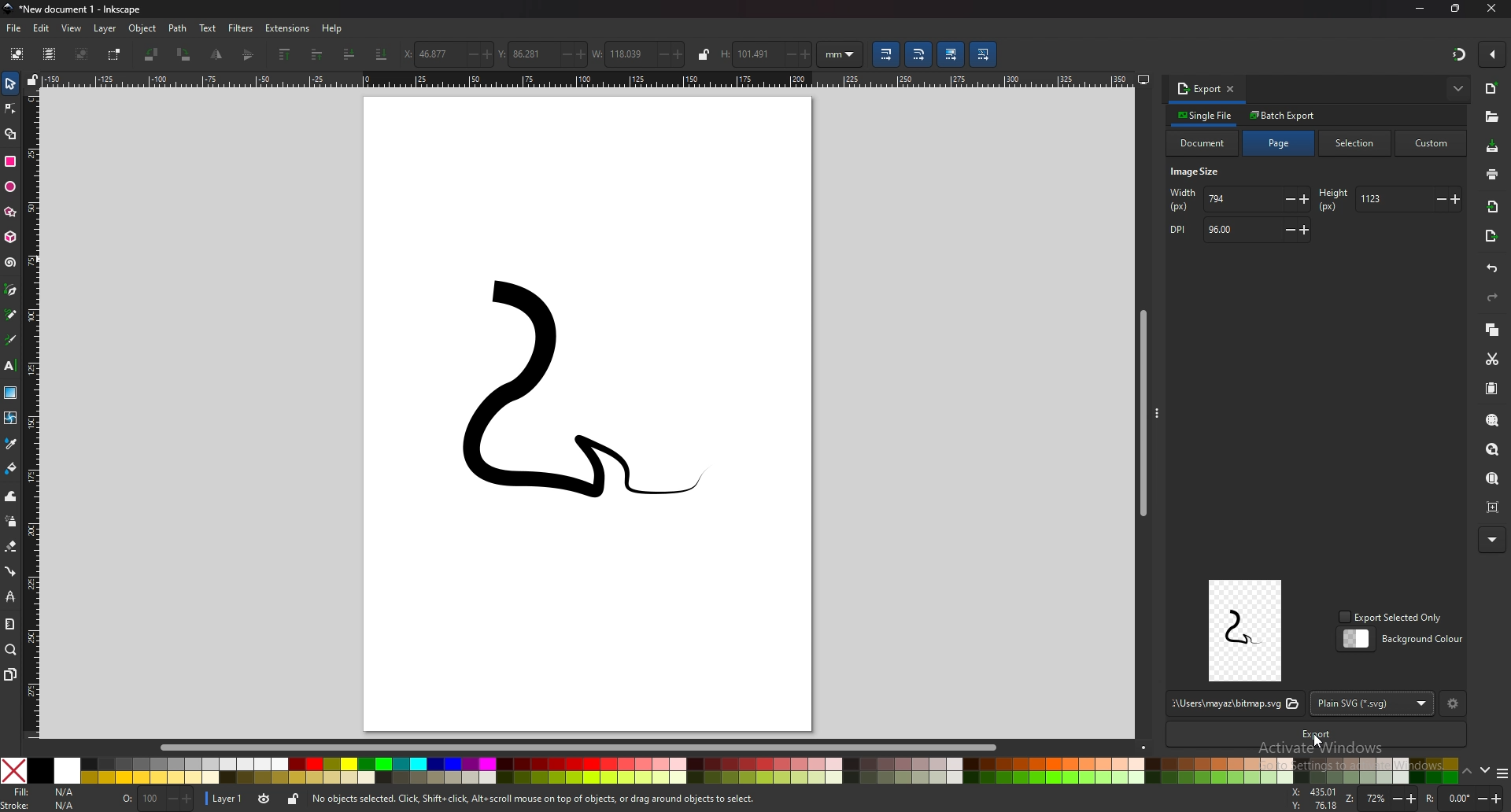  I want to click on zoom page, so click(1494, 480).